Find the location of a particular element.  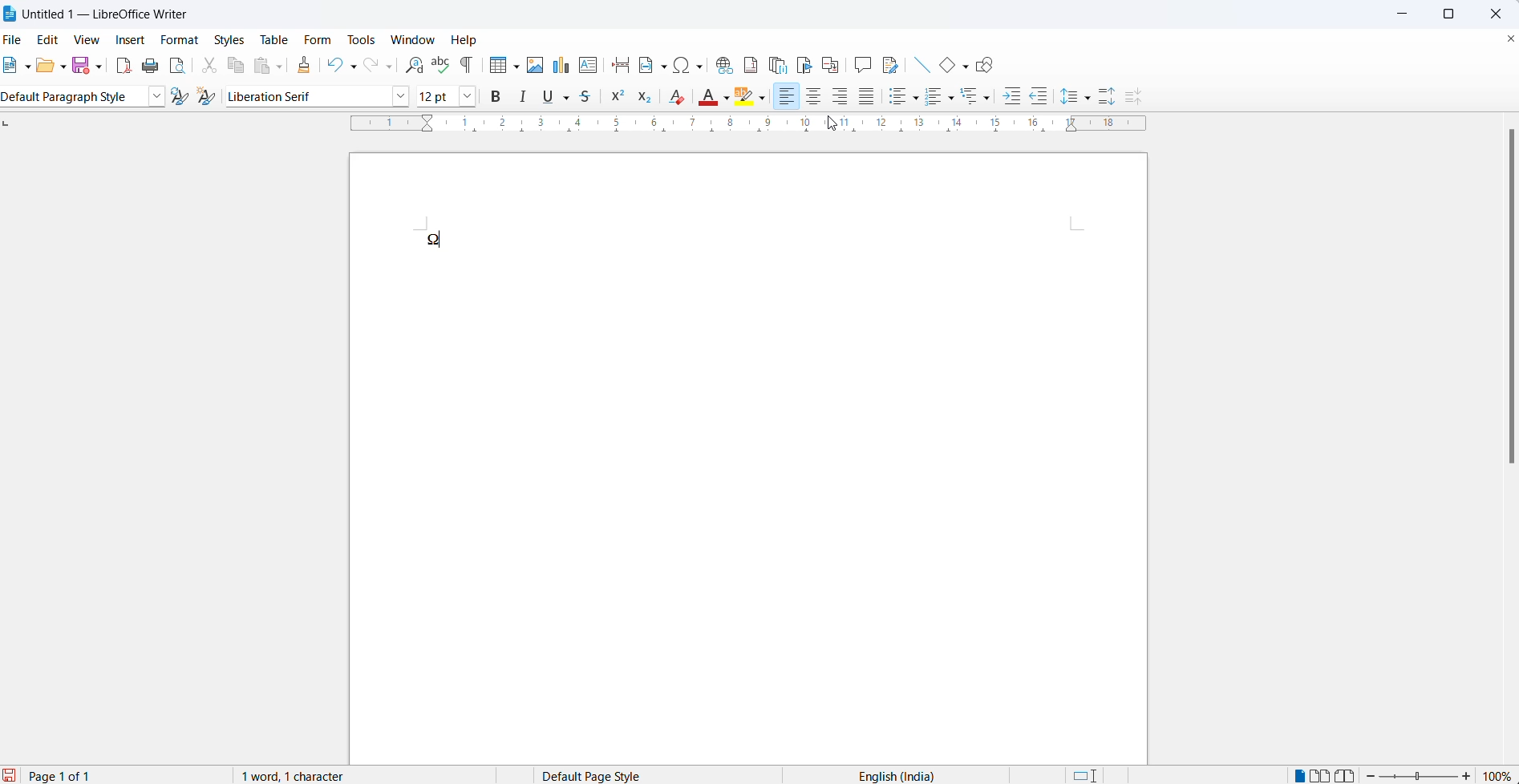

insert chart is located at coordinates (559, 66).